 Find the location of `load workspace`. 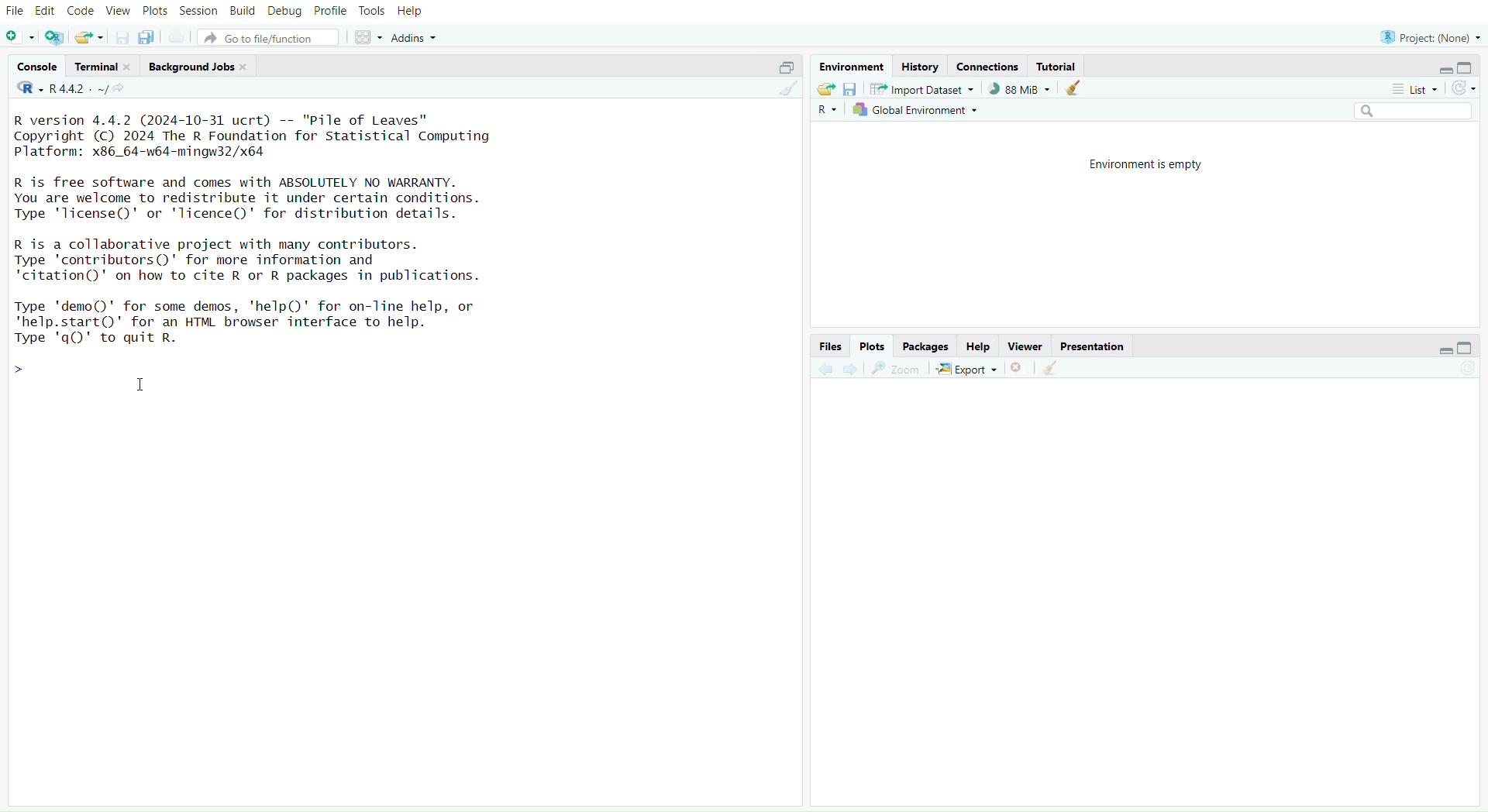

load workspace is located at coordinates (825, 90).